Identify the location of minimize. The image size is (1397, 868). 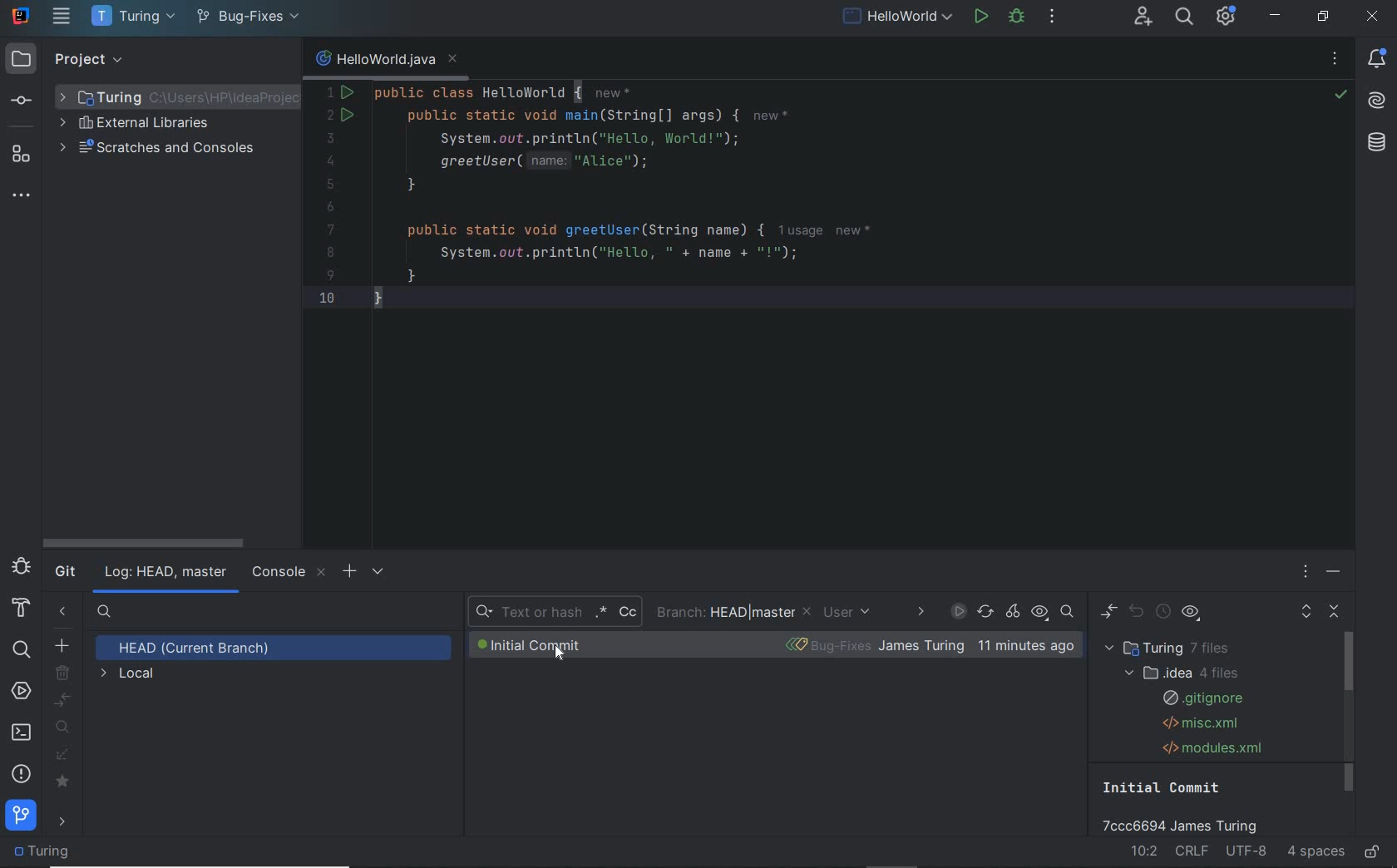
(1276, 16).